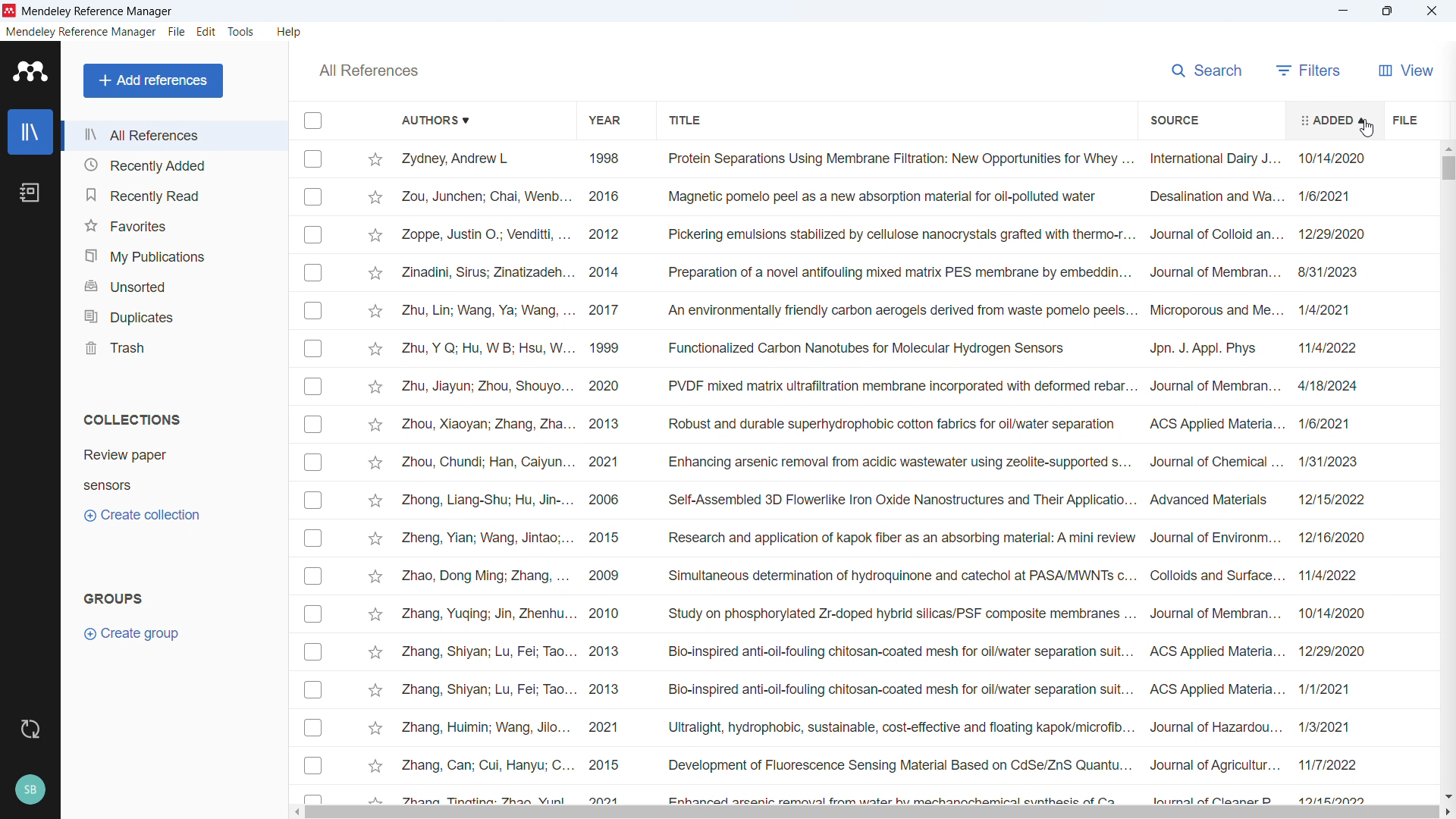 Image resolution: width=1456 pixels, height=819 pixels. I want to click on Sort by year , so click(604, 121).